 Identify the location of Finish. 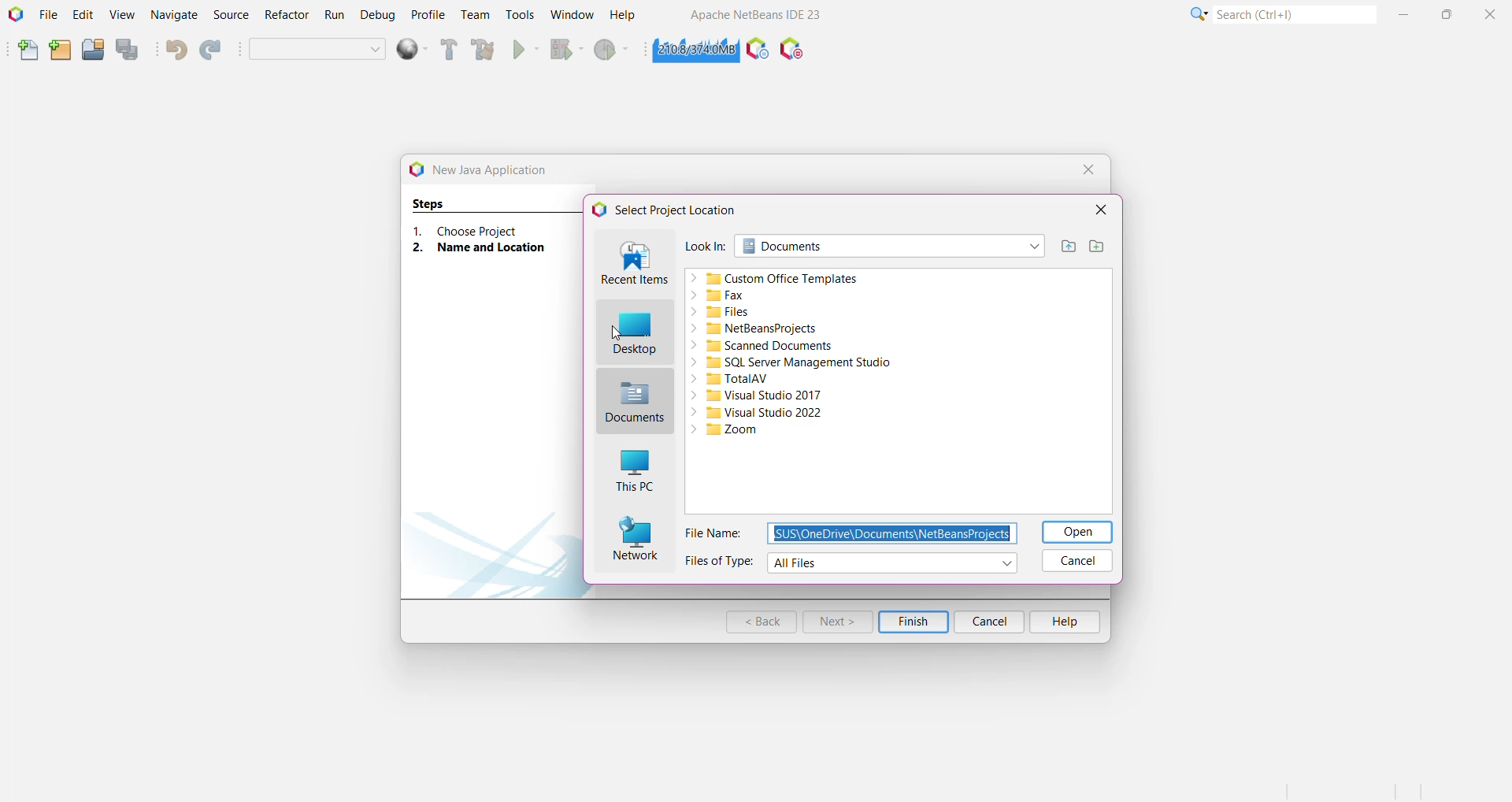
(913, 622).